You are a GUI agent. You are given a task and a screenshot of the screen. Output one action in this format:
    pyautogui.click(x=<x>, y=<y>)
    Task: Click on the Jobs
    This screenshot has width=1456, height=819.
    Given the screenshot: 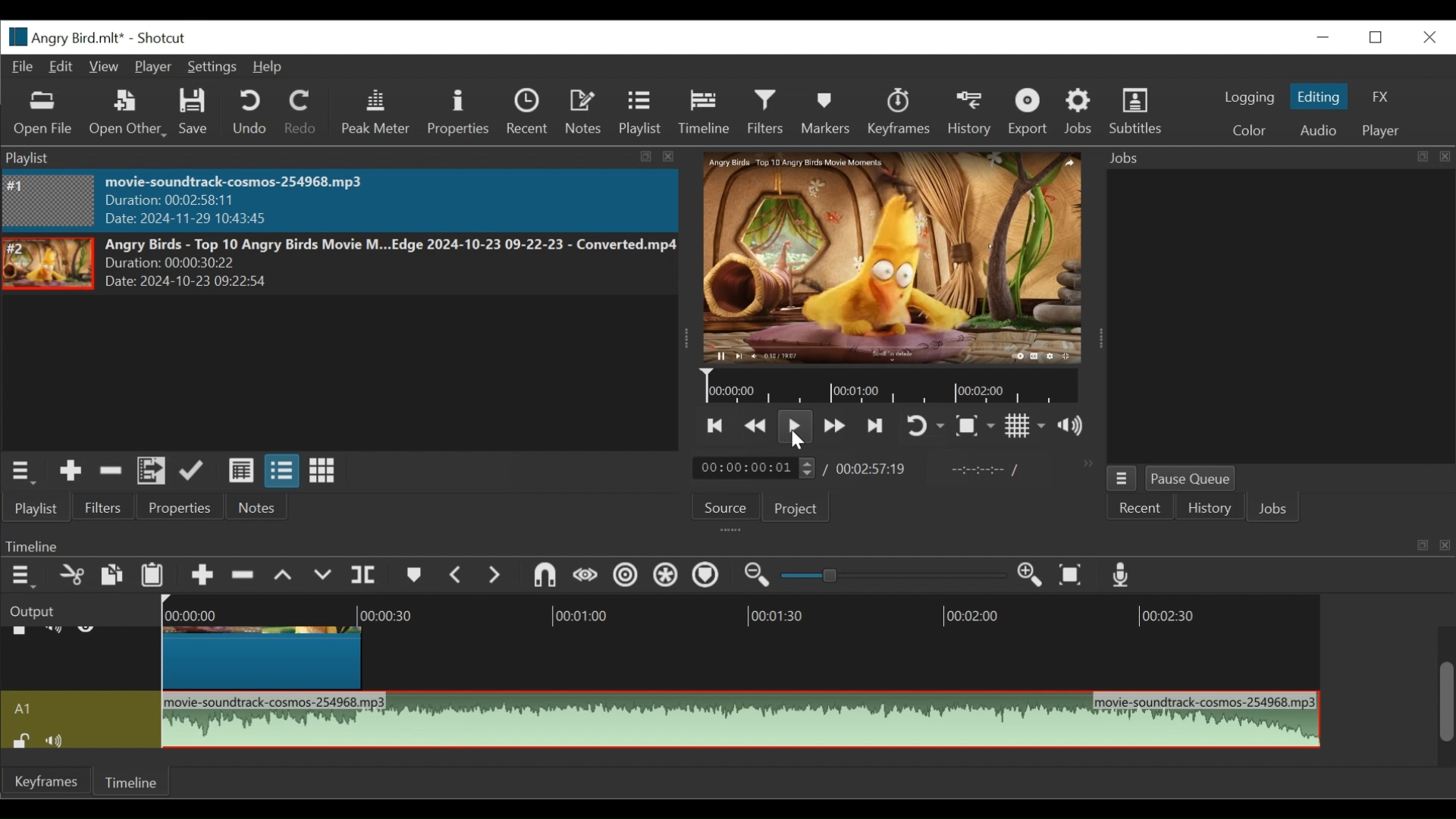 What is the action you would take?
    pyautogui.click(x=1080, y=114)
    